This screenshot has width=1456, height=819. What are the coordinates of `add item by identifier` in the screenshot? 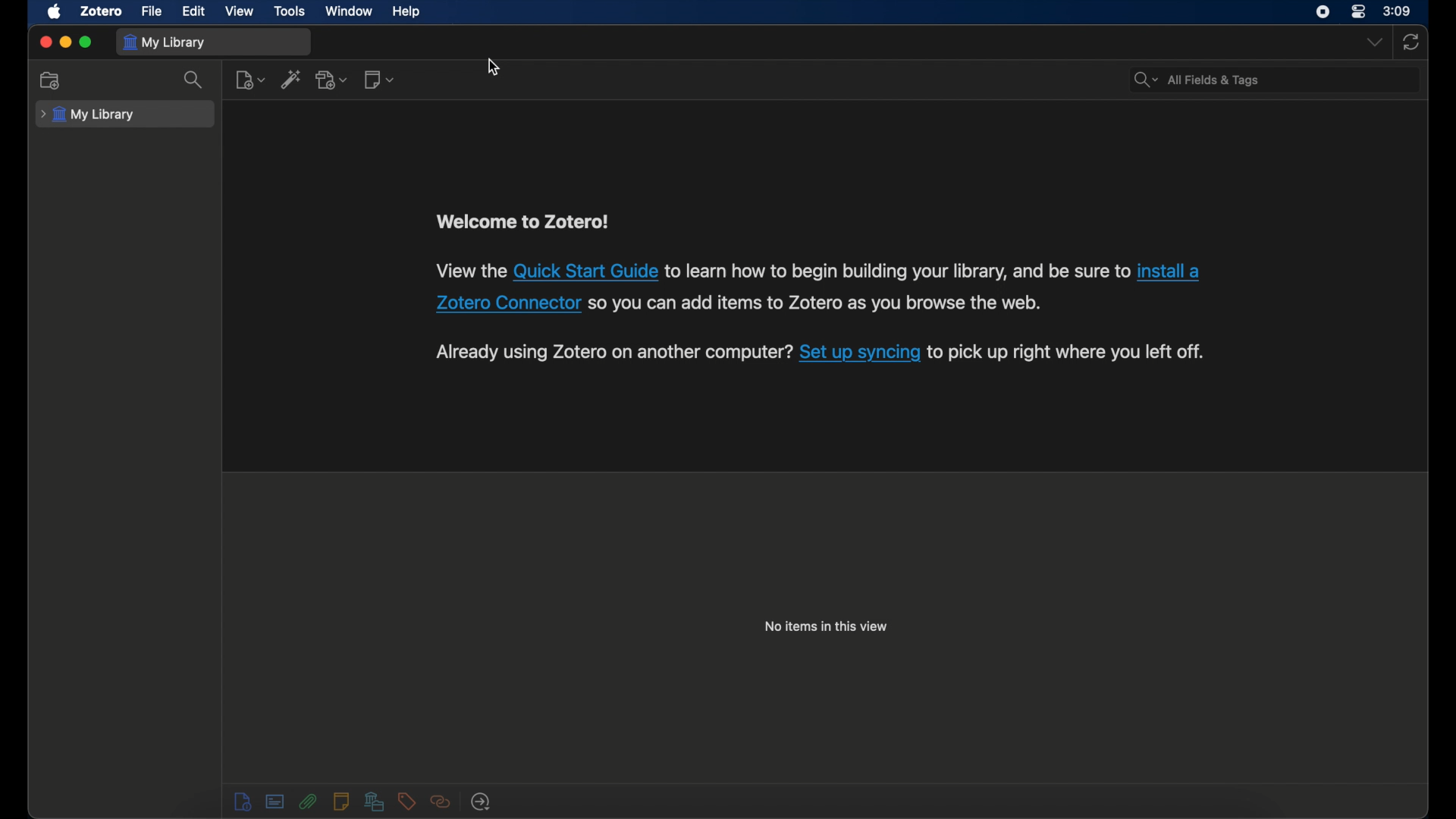 It's located at (290, 78).